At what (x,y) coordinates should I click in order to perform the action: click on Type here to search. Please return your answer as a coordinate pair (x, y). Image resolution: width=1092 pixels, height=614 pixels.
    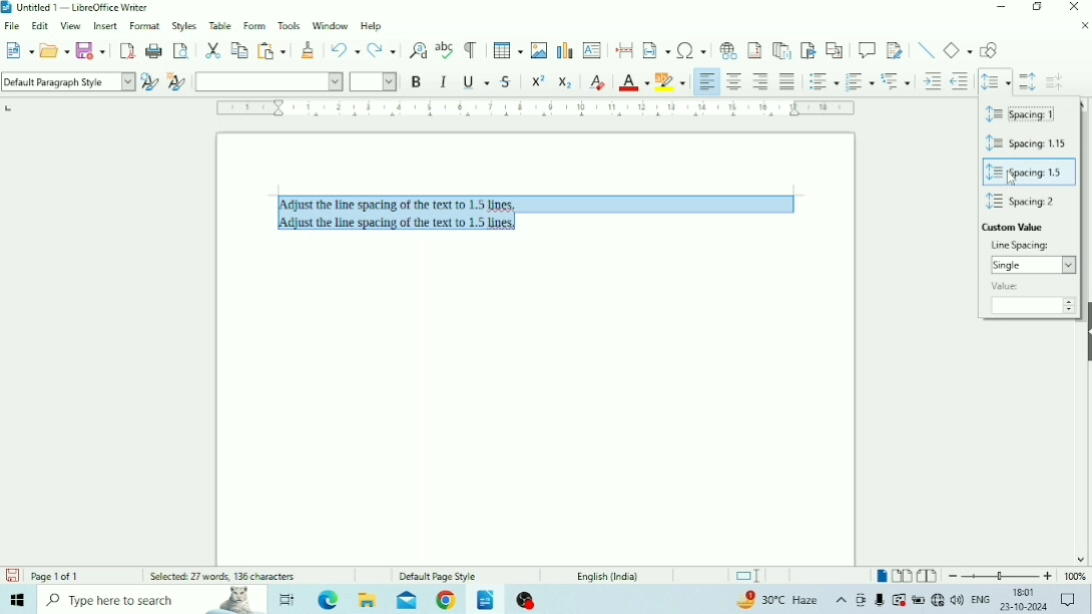
    Looking at the image, I should click on (152, 600).